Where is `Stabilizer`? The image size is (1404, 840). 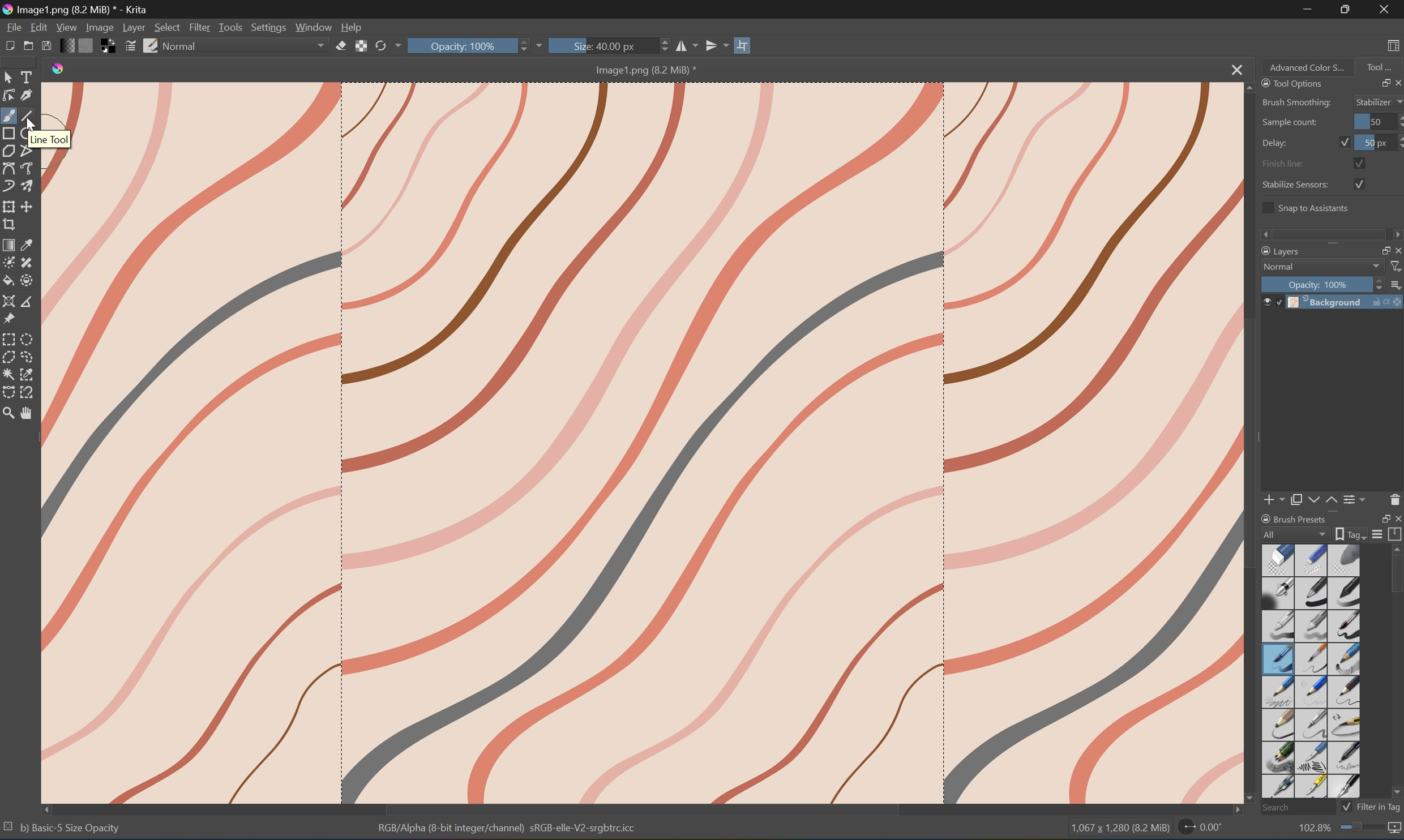 Stabilizer is located at coordinates (1379, 101).